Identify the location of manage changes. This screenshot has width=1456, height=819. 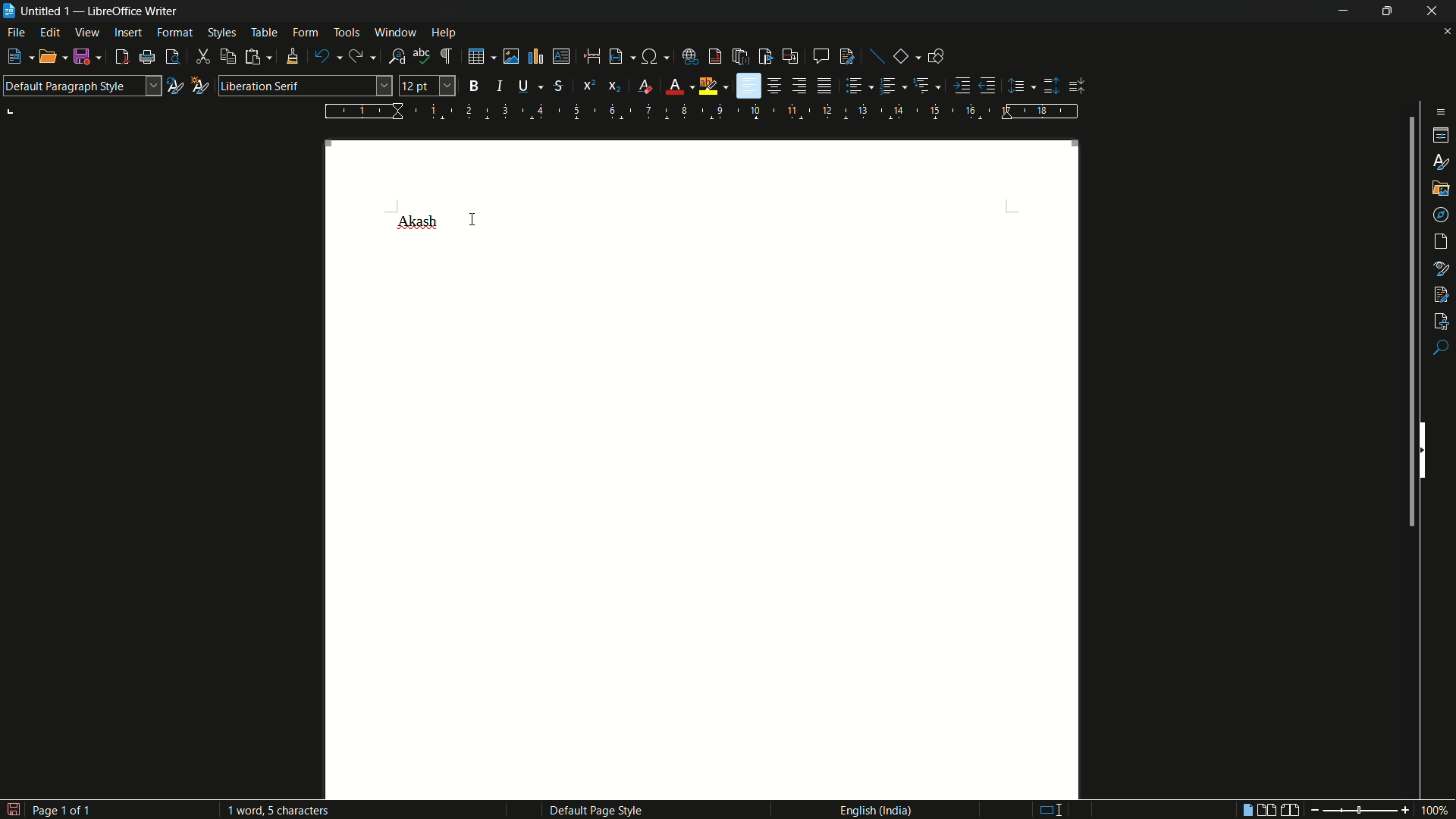
(1441, 293).